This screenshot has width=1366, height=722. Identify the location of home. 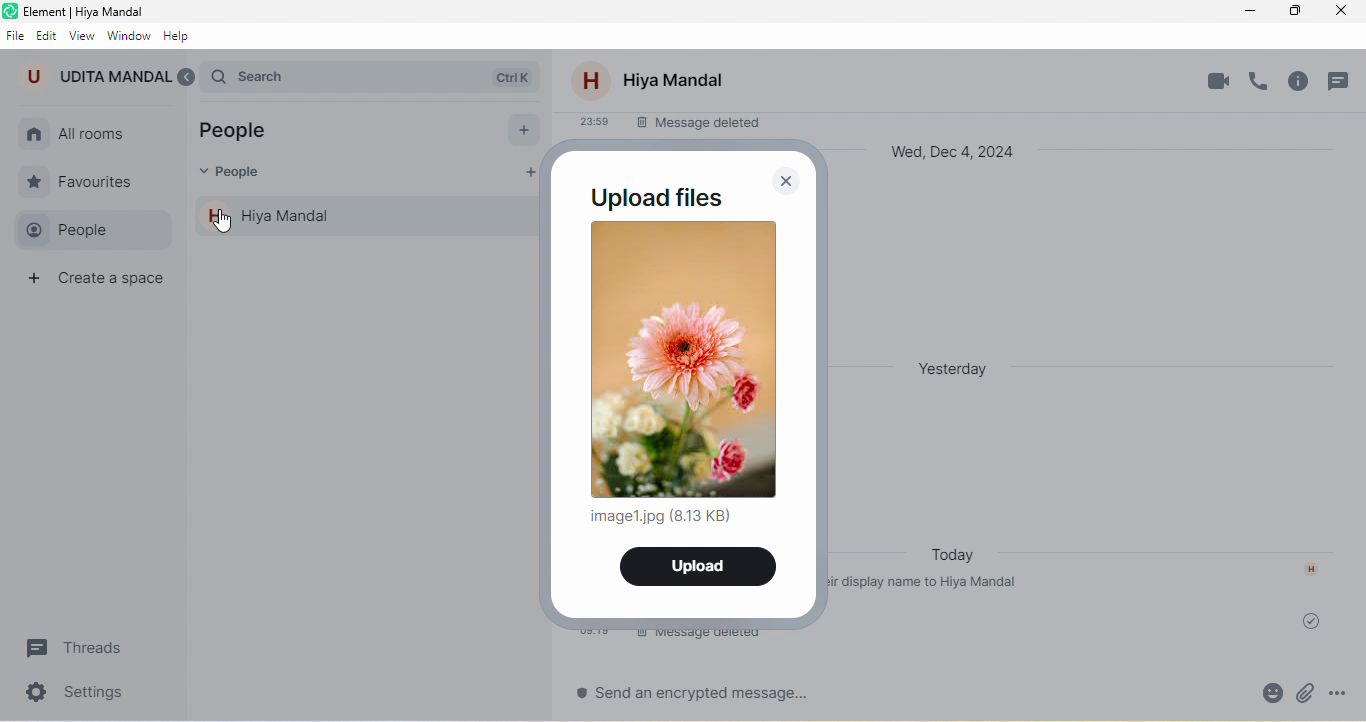
(35, 135).